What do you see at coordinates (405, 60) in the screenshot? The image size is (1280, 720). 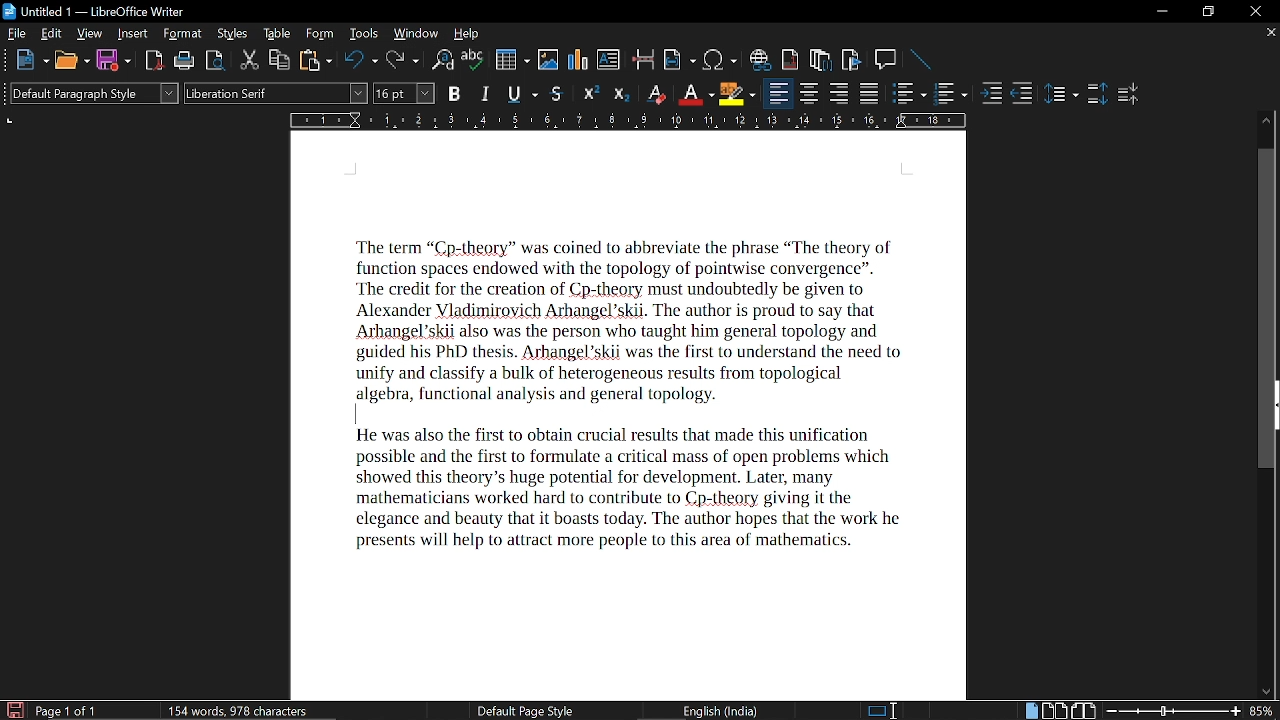 I see `Redo` at bounding box center [405, 60].